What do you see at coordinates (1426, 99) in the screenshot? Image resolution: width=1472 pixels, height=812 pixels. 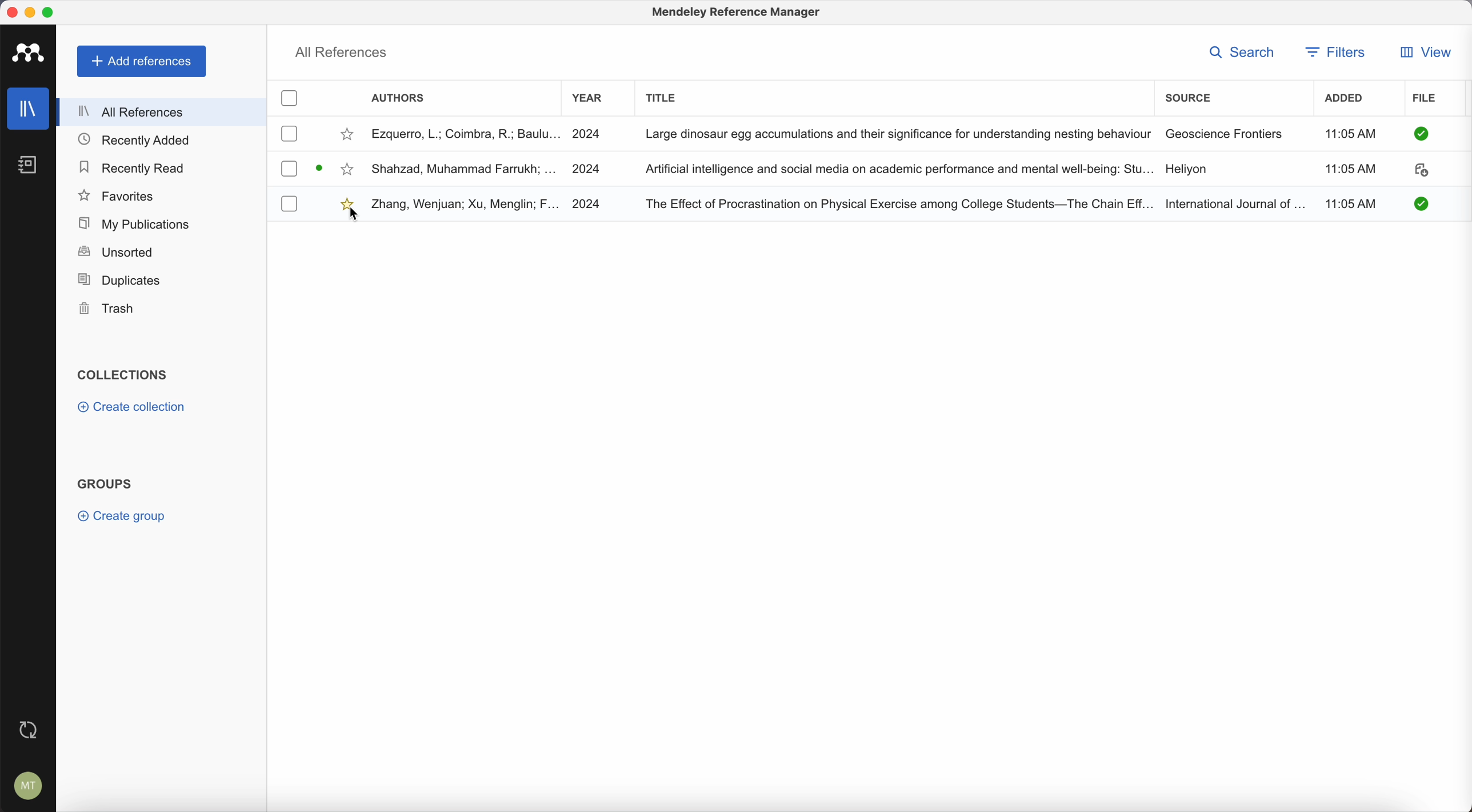 I see `file` at bounding box center [1426, 99].